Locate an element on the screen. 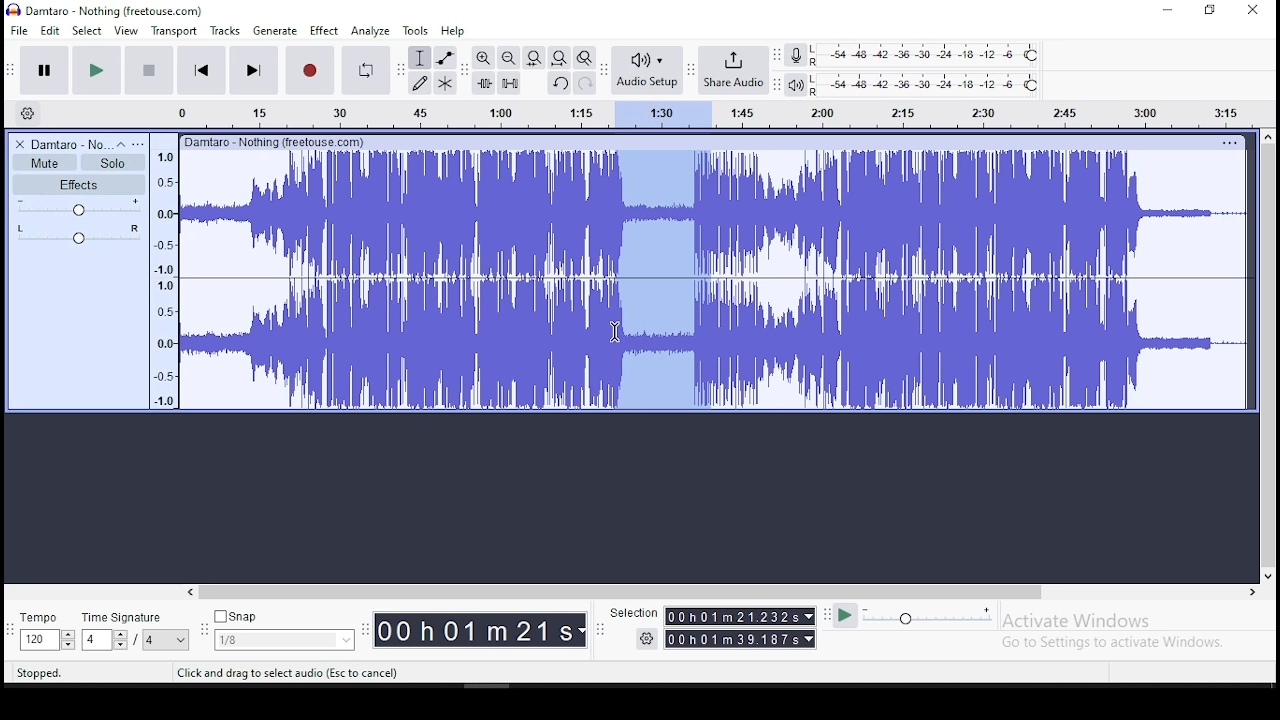   is located at coordinates (825, 615).